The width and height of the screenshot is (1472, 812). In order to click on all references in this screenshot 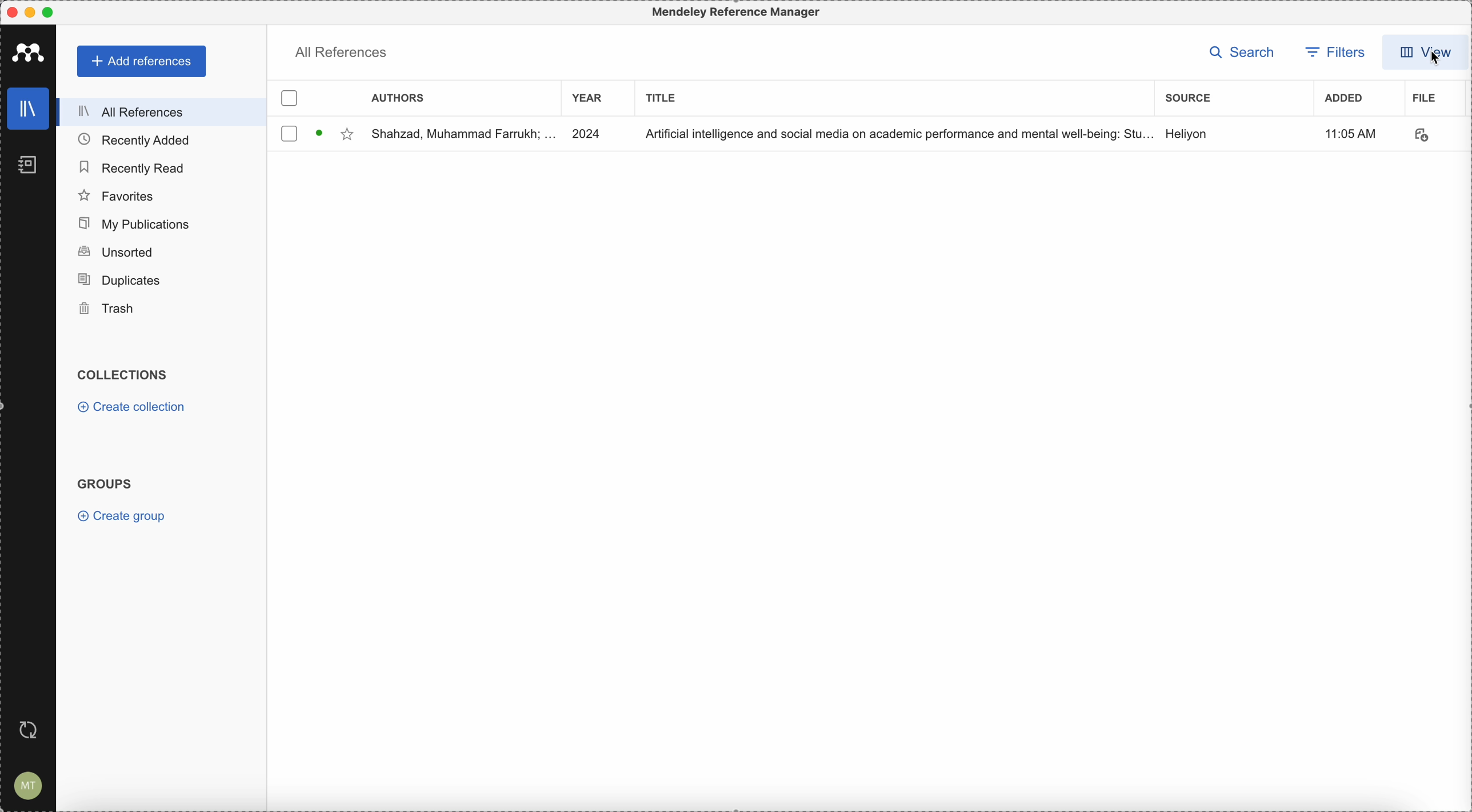, I will do `click(162, 113)`.